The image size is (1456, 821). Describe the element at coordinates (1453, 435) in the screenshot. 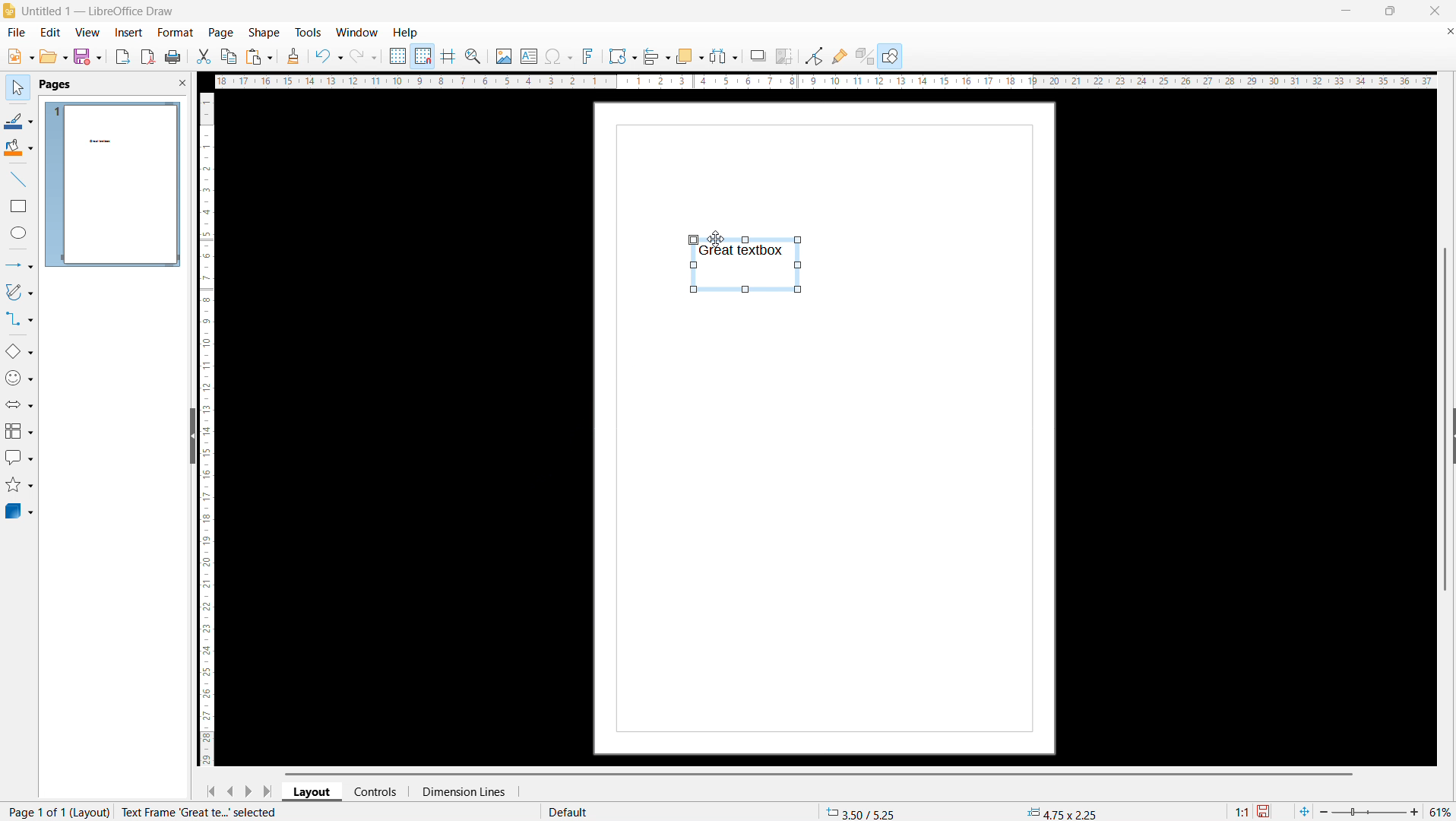

I see `Expand pane ` at that location.